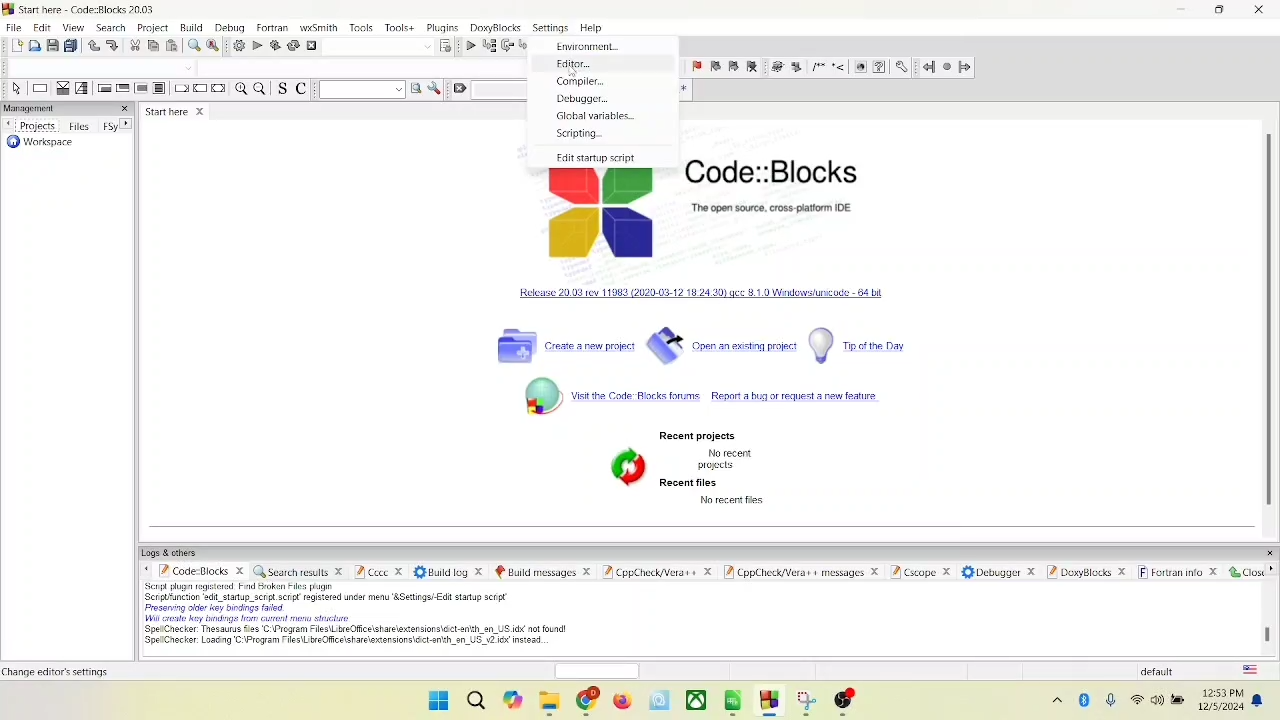  What do you see at coordinates (588, 46) in the screenshot?
I see `environment` at bounding box center [588, 46].